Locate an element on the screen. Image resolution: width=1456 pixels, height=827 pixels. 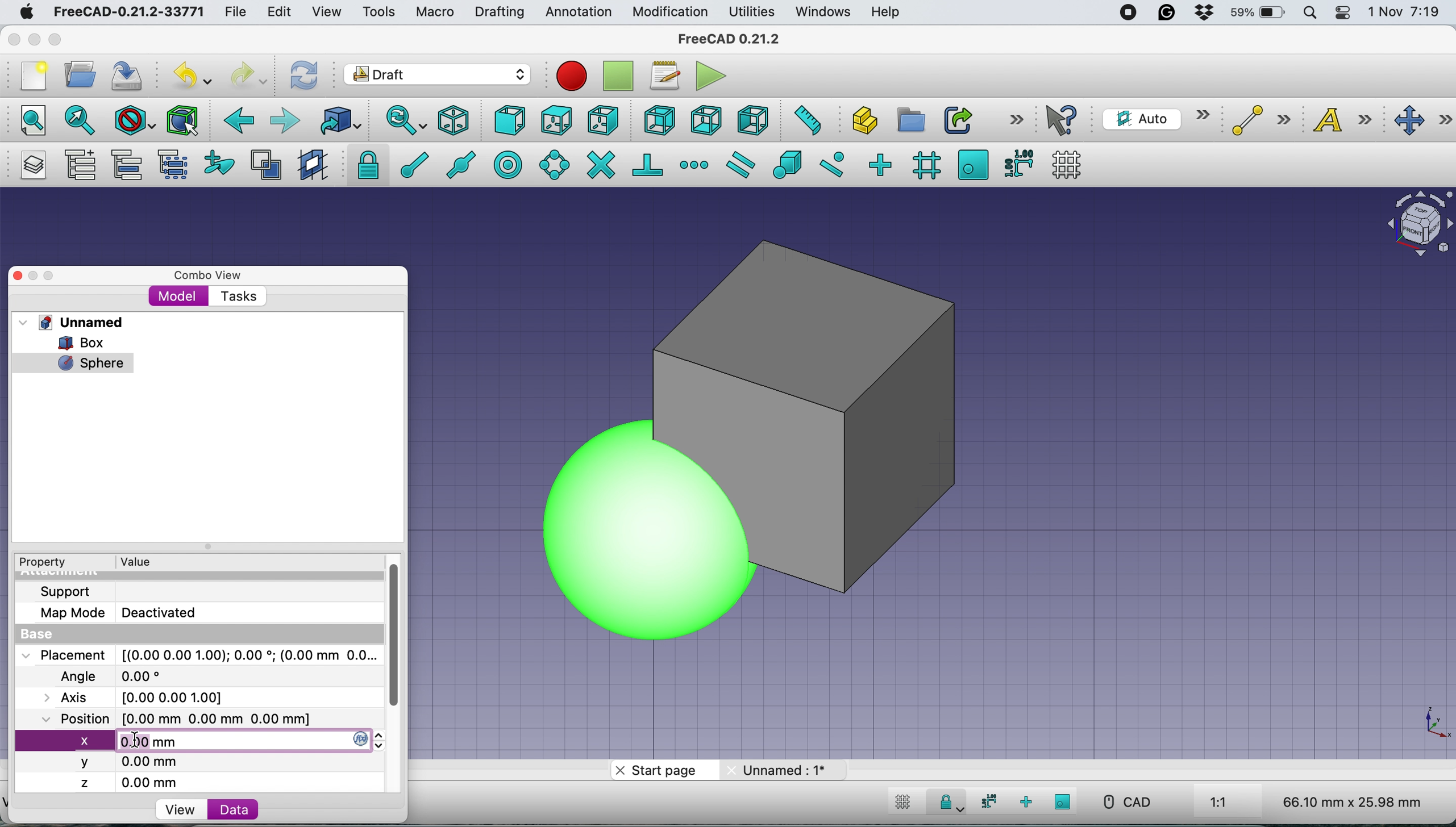
data is located at coordinates (233, 809).